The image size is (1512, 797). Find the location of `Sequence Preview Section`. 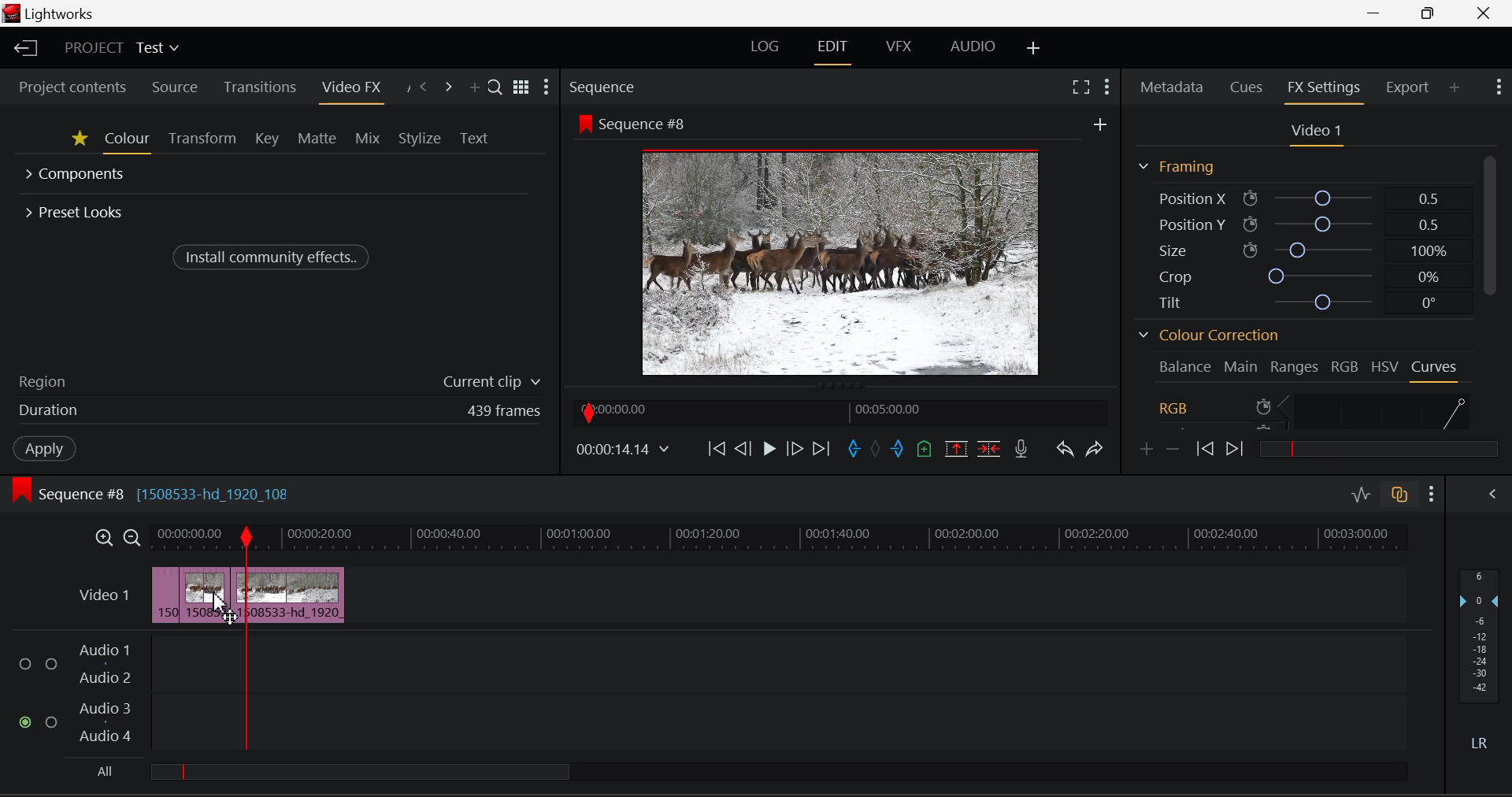

Sequence Preview Section is located at coordinates (603, 87).